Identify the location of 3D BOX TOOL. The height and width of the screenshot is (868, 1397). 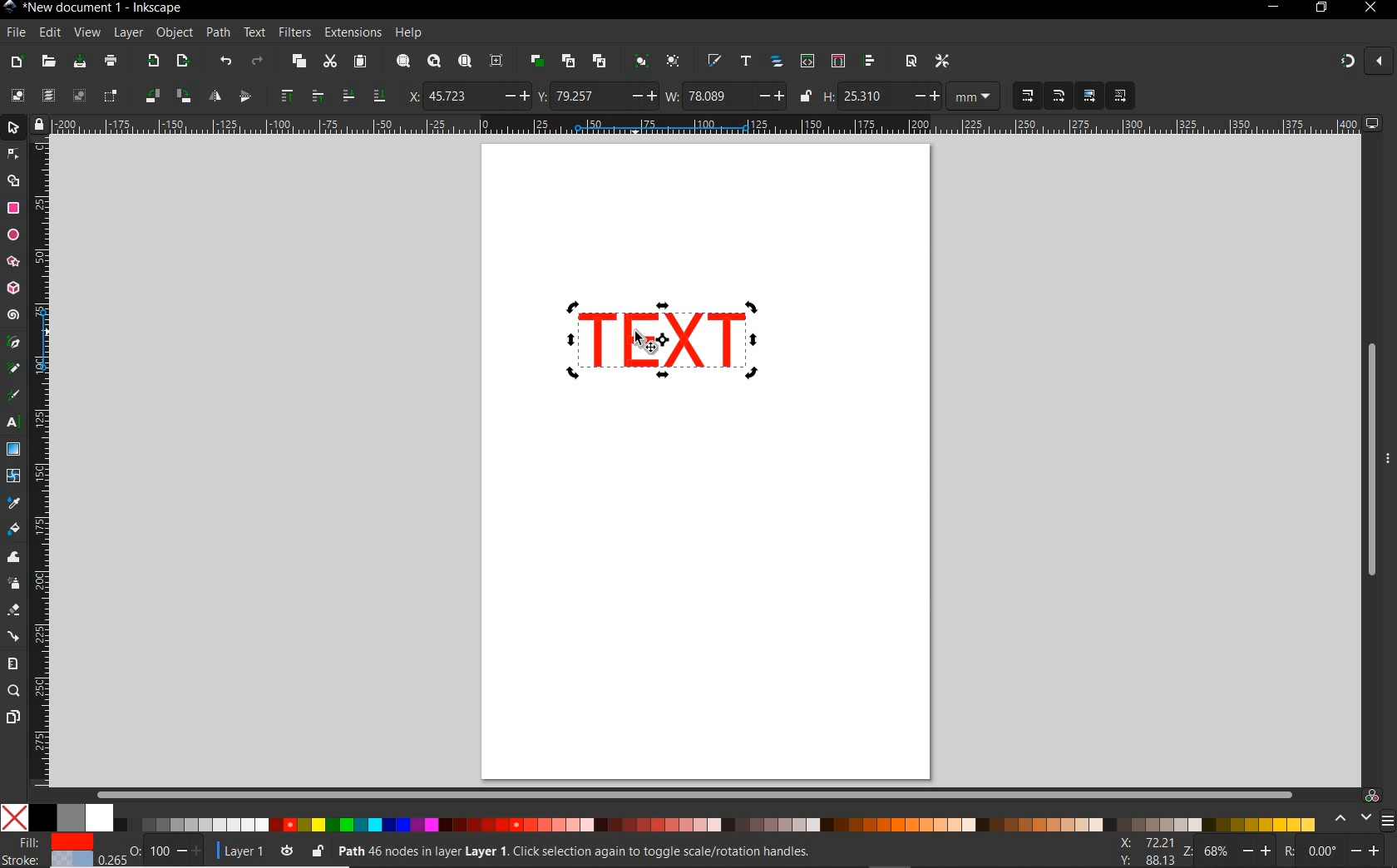
(12, 289).